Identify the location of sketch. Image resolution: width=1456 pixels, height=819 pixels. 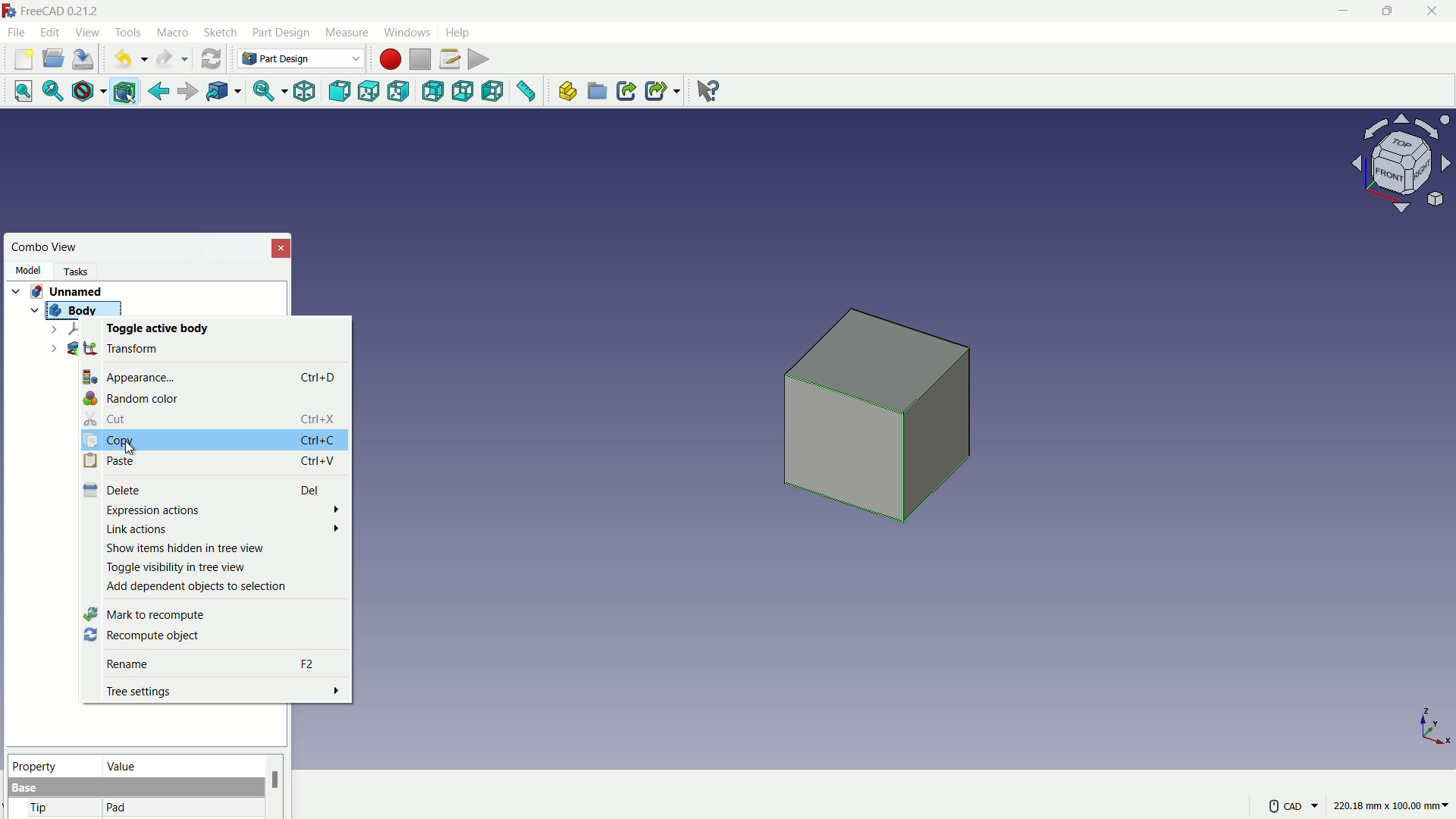
(221, 33).